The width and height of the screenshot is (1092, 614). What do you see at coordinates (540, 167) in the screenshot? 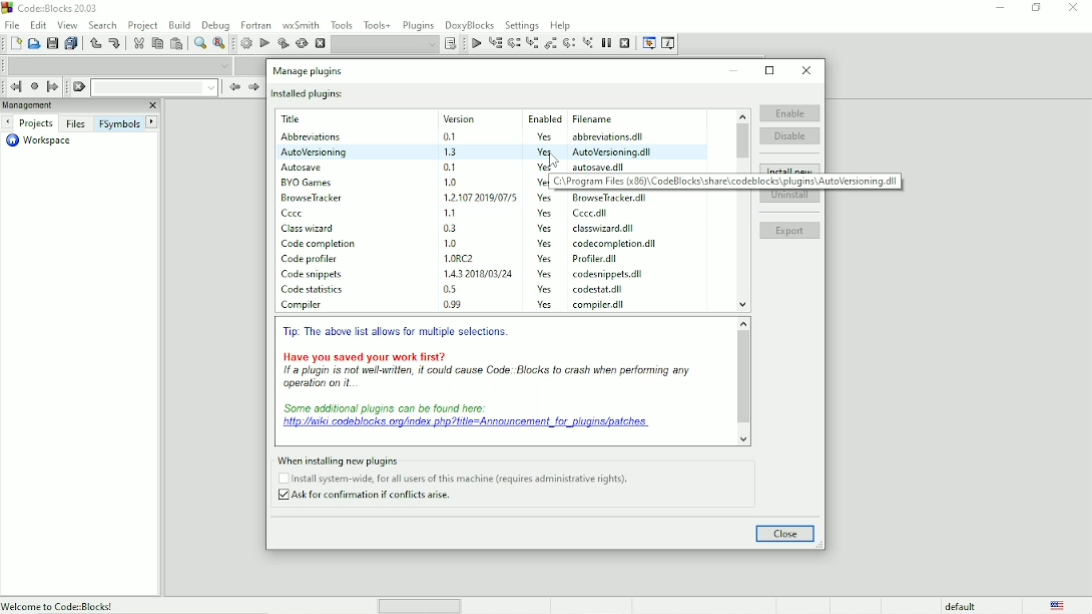
I see `Yes` at bounding box center [540, 167].